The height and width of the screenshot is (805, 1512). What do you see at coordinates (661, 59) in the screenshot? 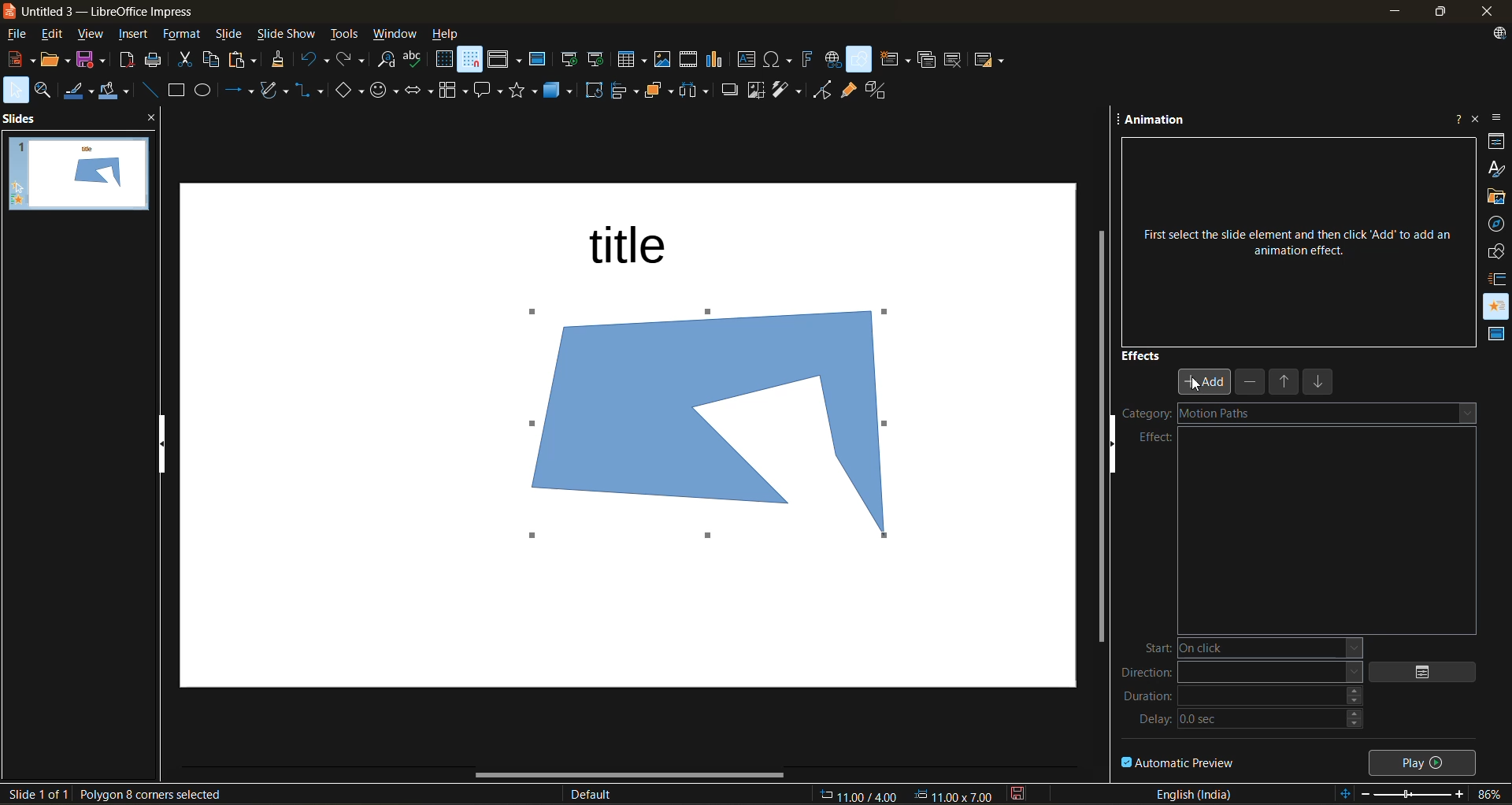
I see `insert image` at bounding box center [661, 59].